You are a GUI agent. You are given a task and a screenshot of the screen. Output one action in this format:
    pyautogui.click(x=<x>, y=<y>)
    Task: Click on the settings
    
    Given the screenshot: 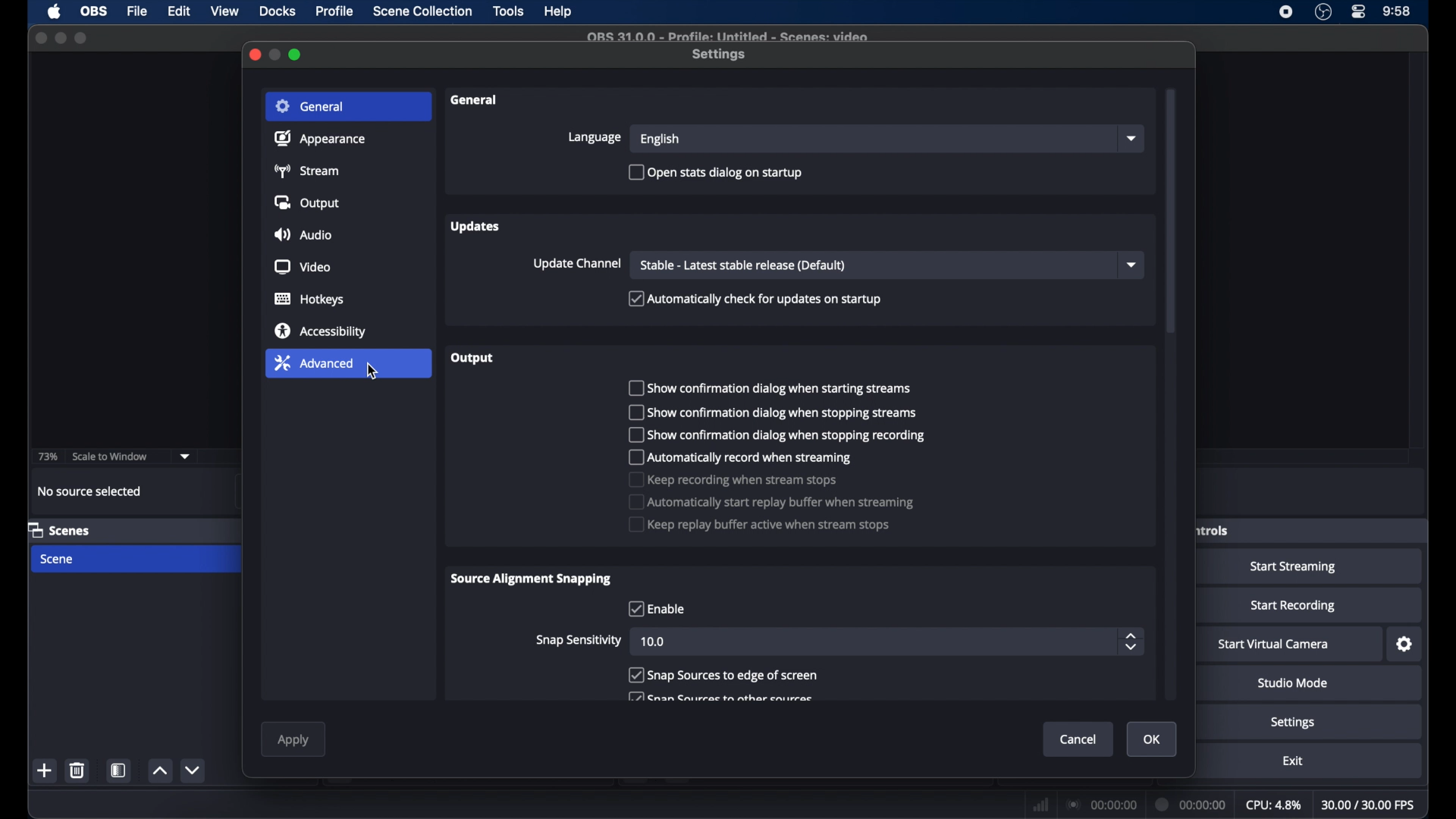 What is the action you would take?
    pyautogui.click(x=1294, y=723)
    